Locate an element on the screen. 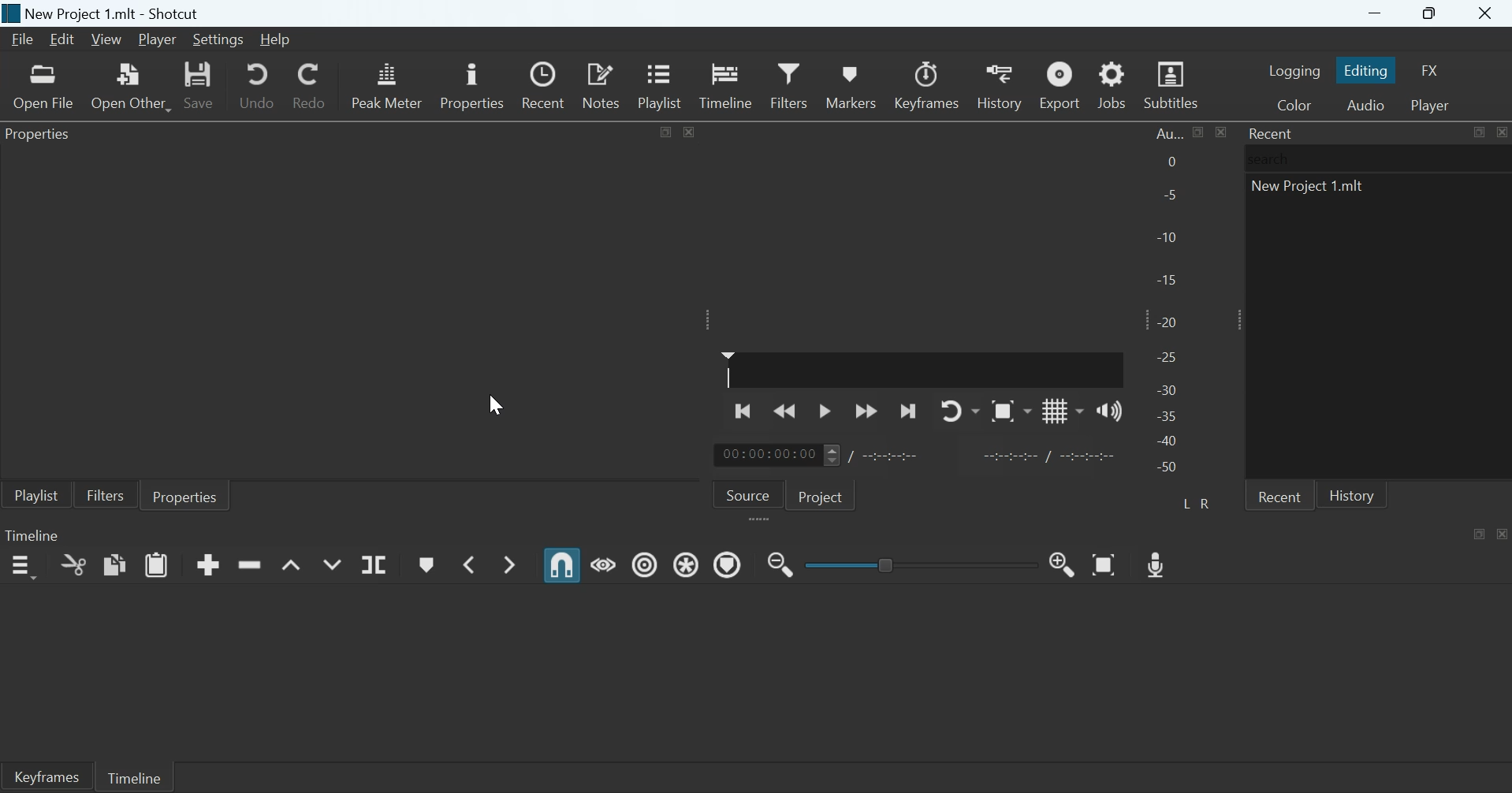 The width and height of the screenshot is (1512, 793). create/edit marker is located at coordinates (426, 565).